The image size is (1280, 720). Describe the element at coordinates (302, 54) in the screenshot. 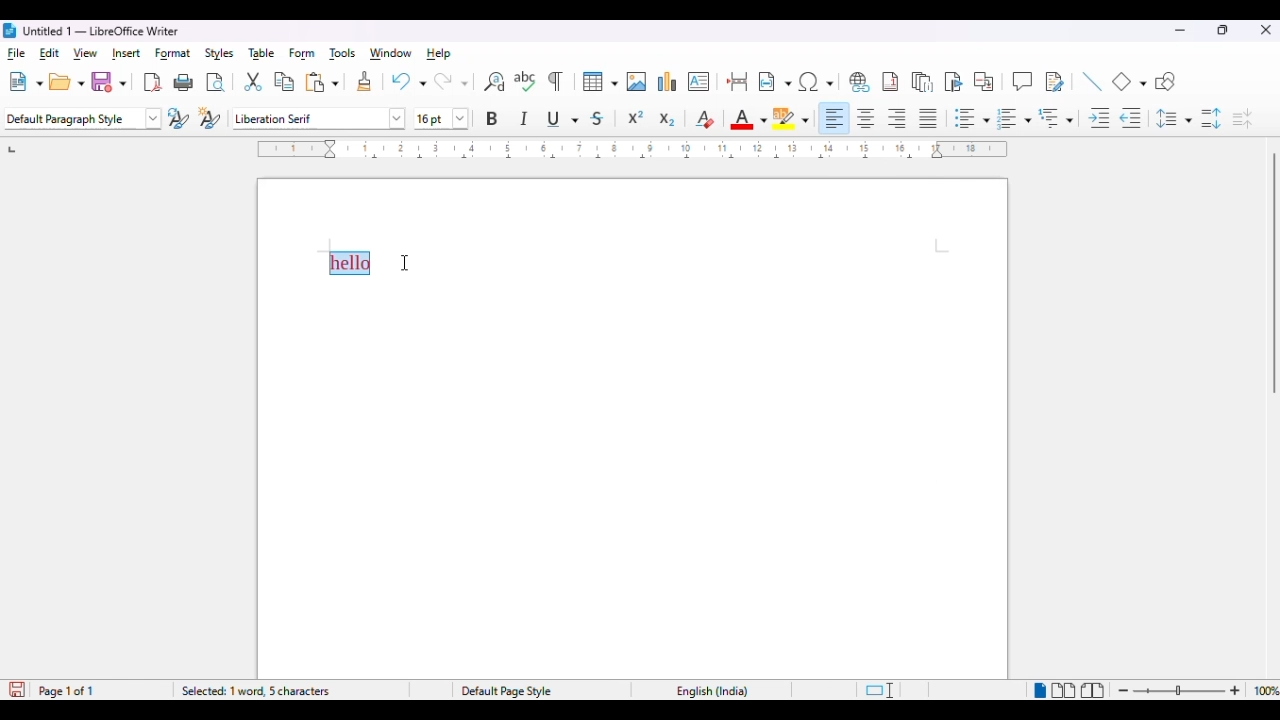

I see `form` at that location.